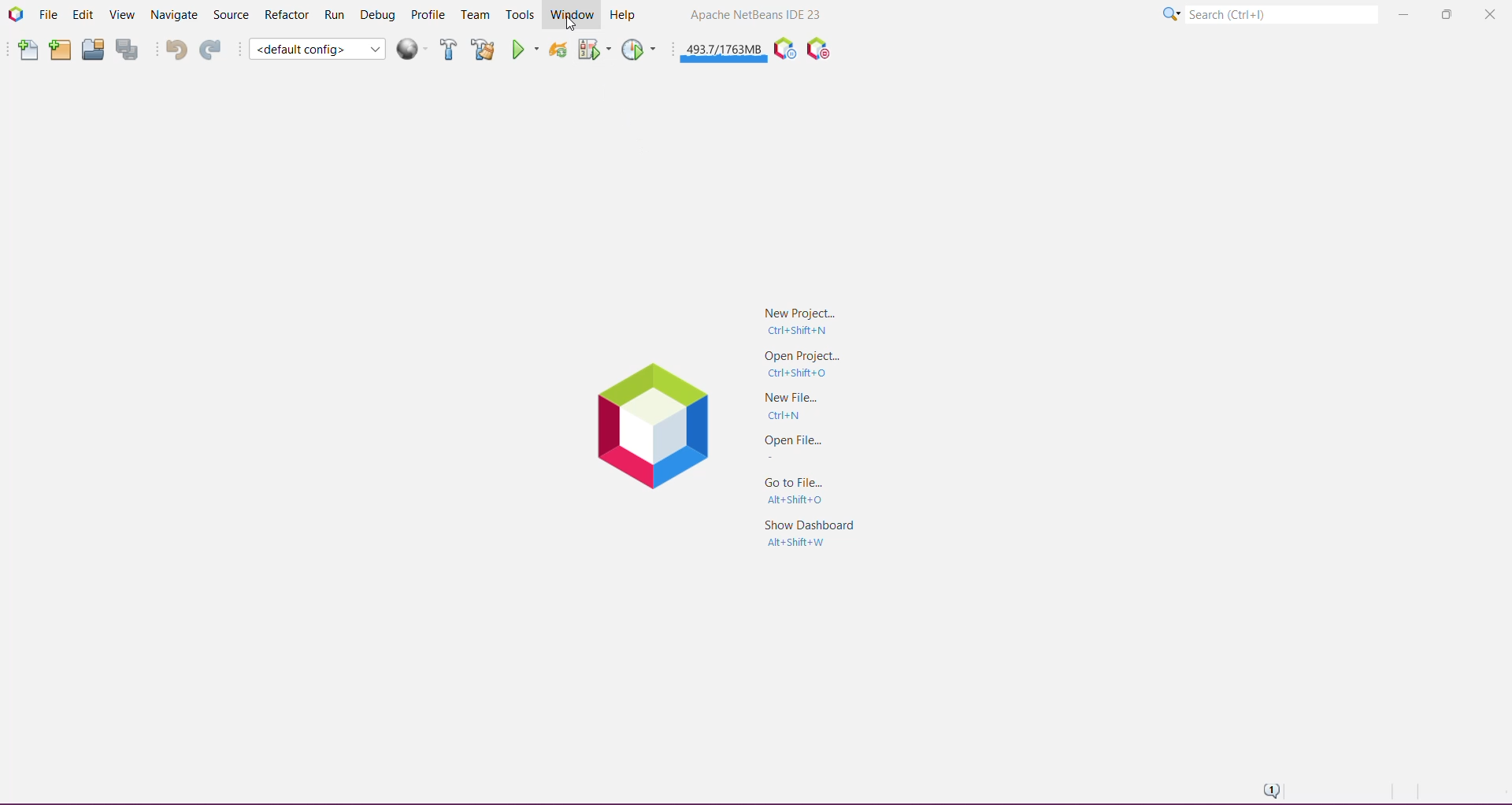  Describe the element at coordinates (803, 408) in the screenshot. I see `` at that location.